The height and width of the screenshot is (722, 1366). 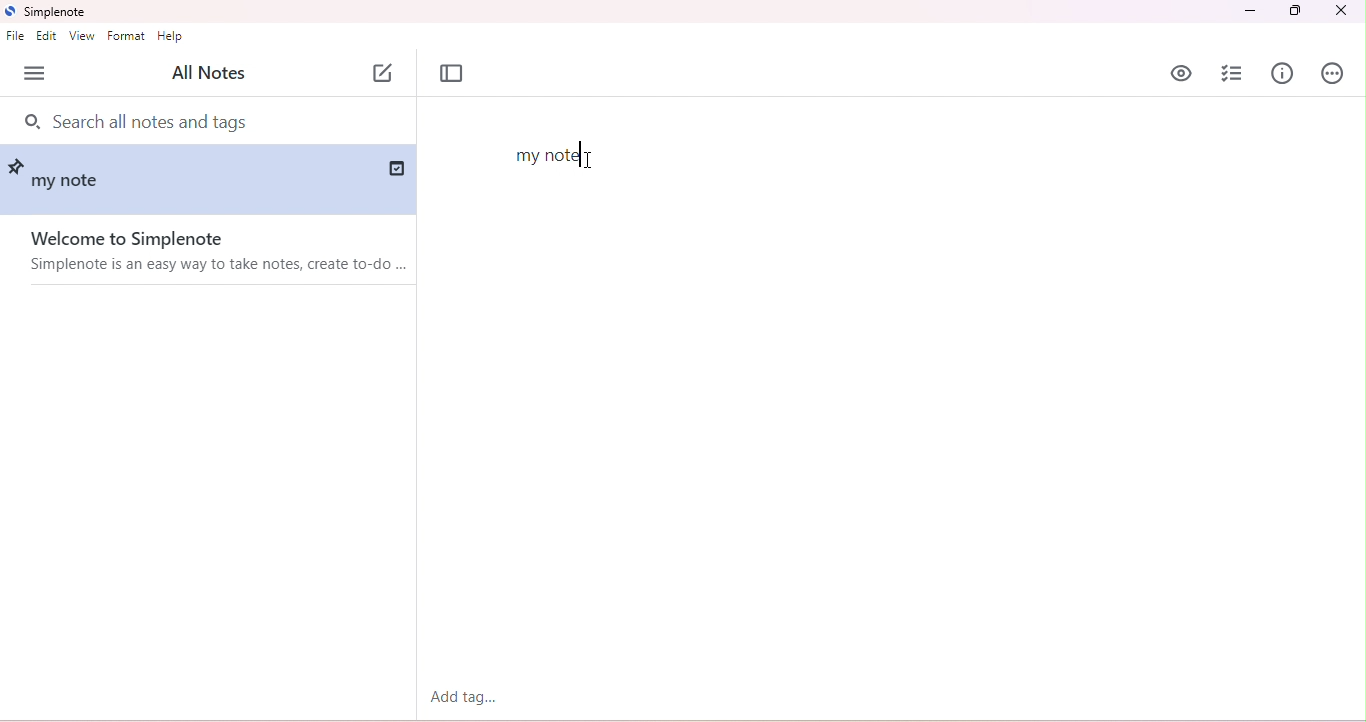 I want to click on menu, so click(x=36, y=73).